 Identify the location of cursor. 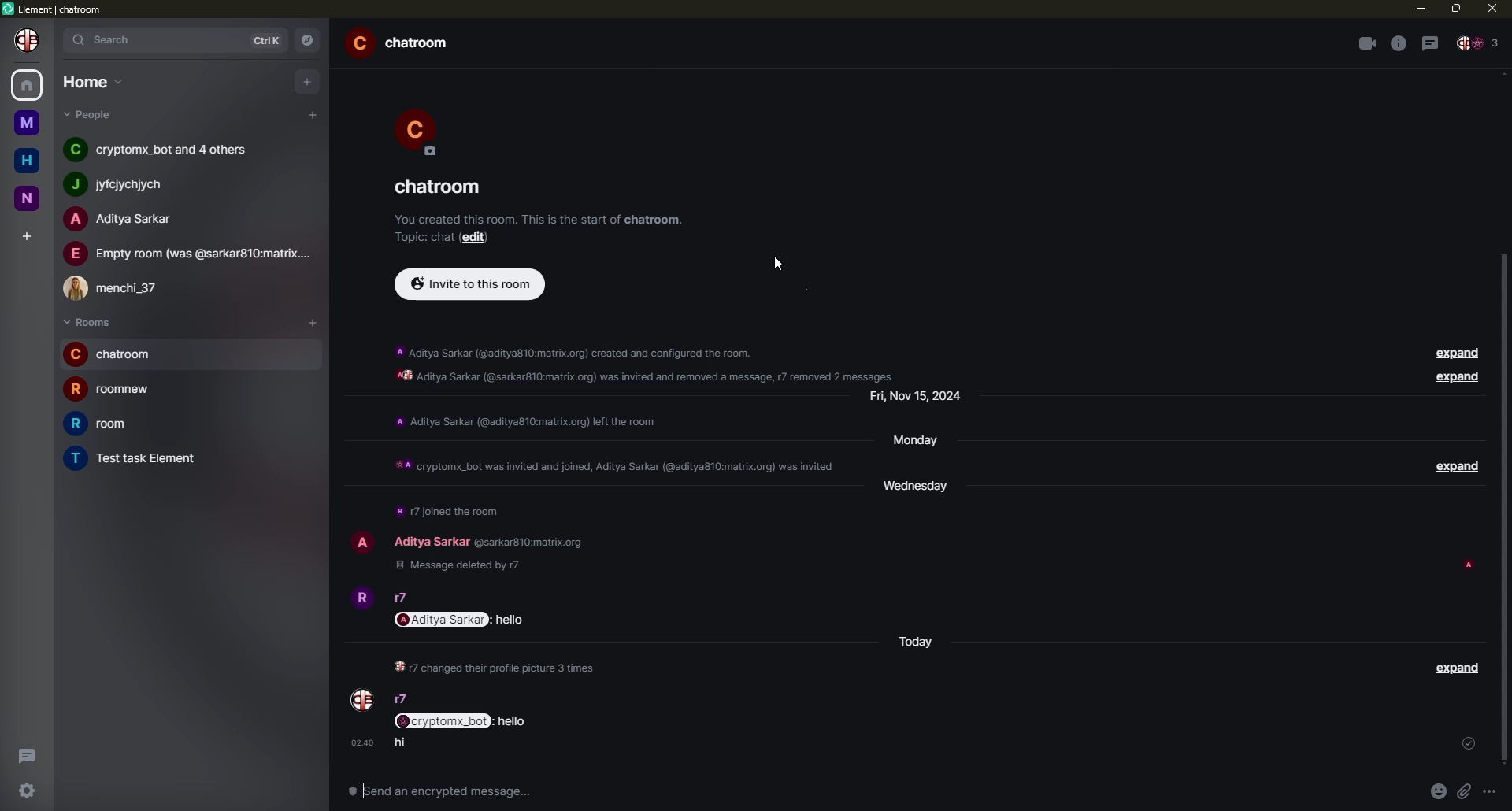
(776, 261).